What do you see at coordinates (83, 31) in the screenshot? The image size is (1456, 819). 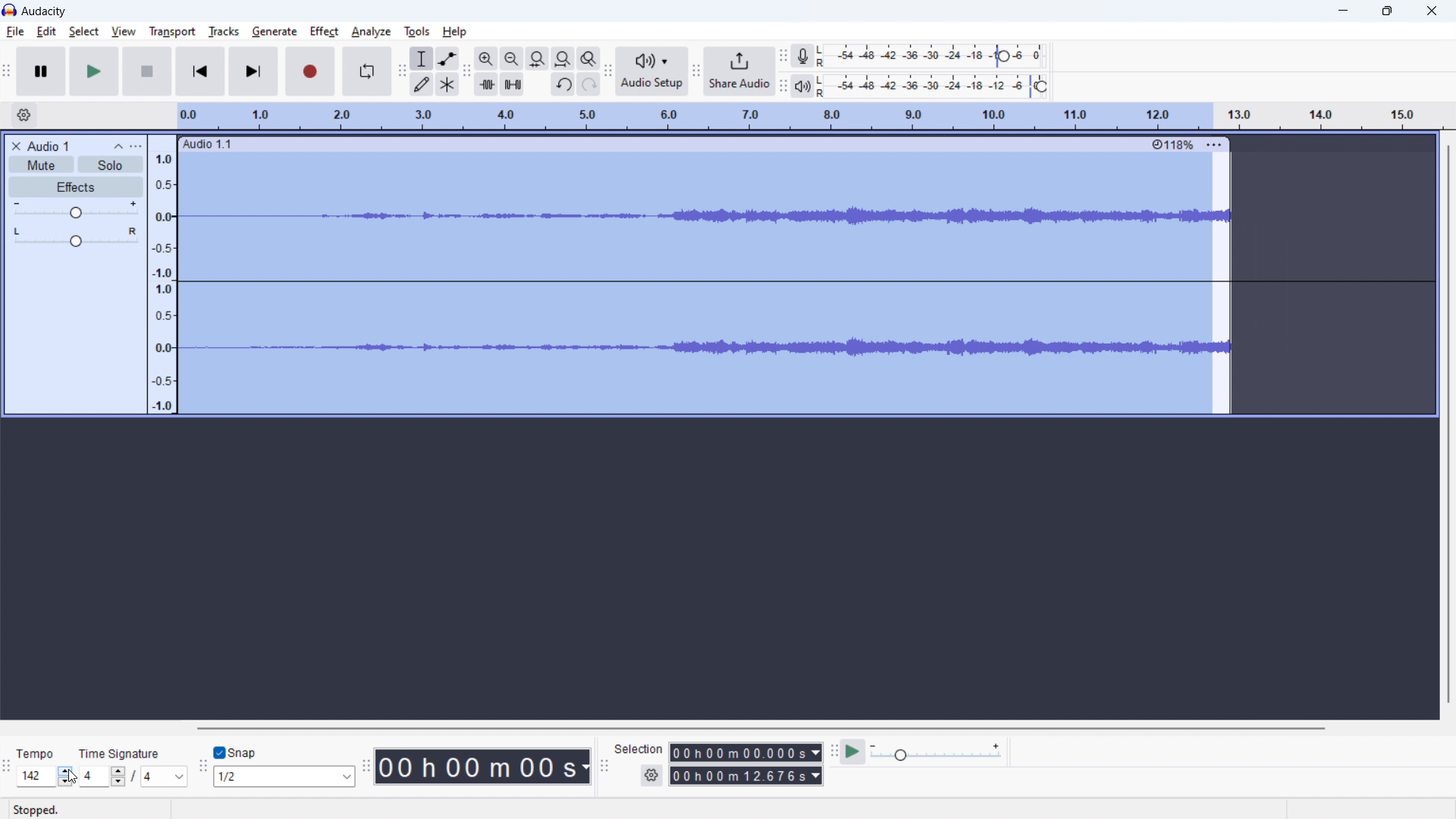 I see `select` at bounding box center [83, 31].